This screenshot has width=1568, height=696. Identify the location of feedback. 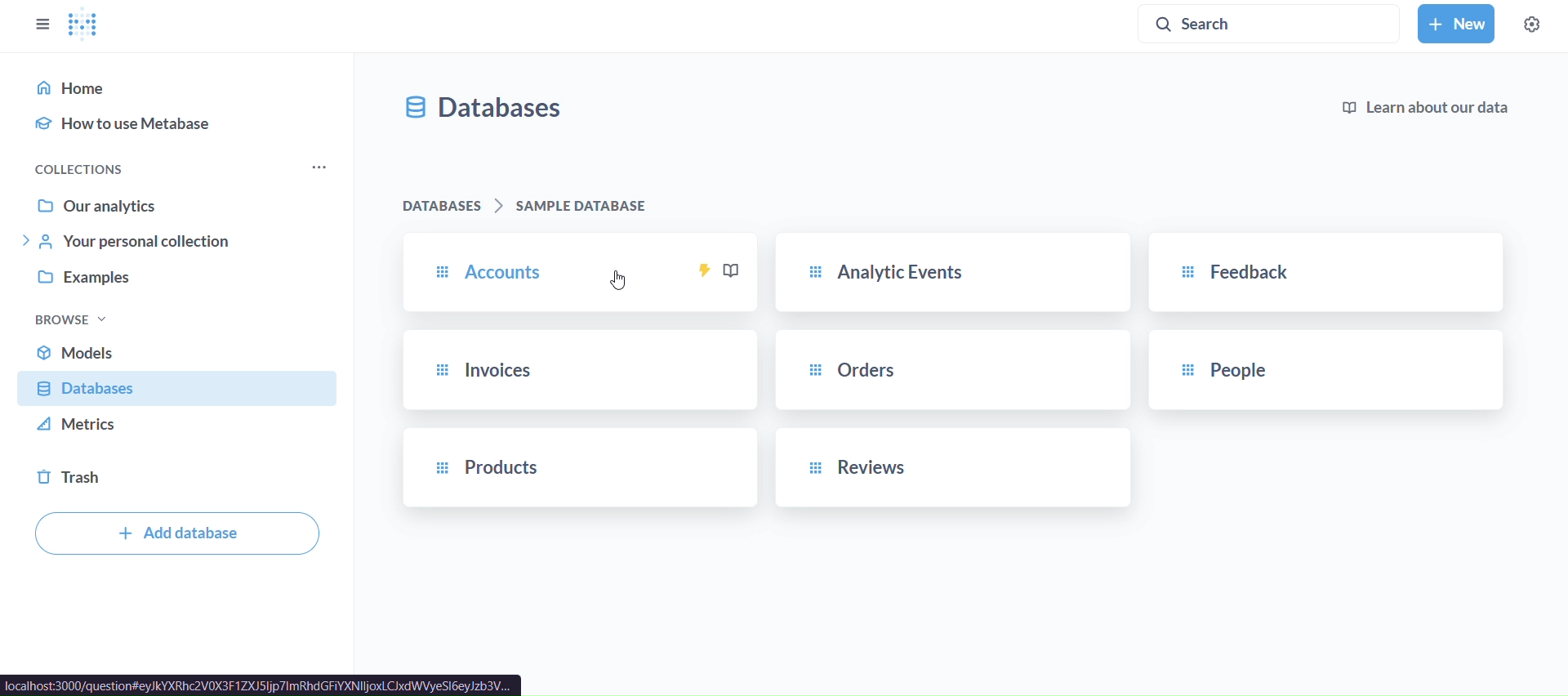
(1328, 270).